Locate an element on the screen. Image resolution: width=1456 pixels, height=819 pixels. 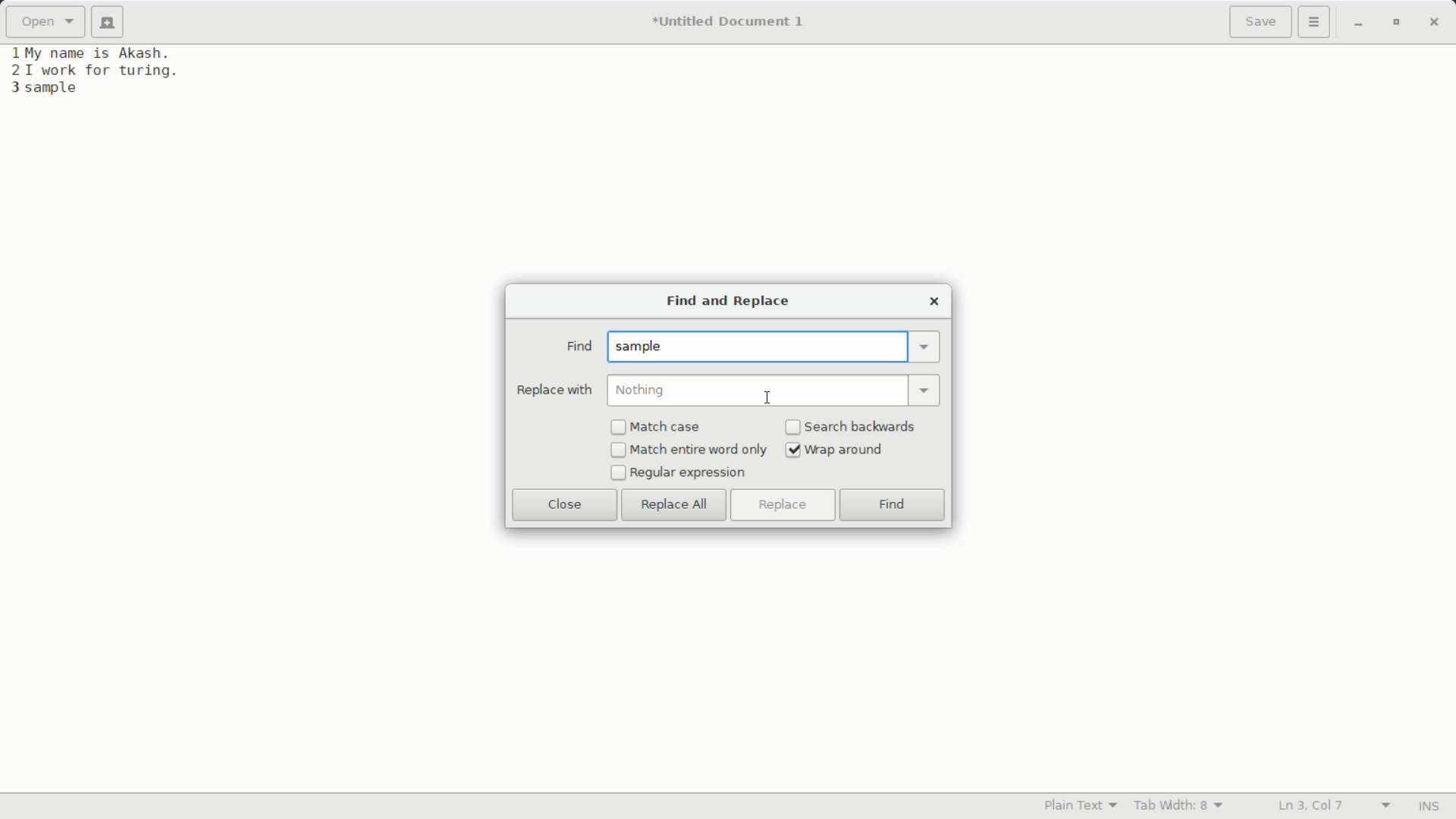
3 sample is located at coordinates (44, 89).